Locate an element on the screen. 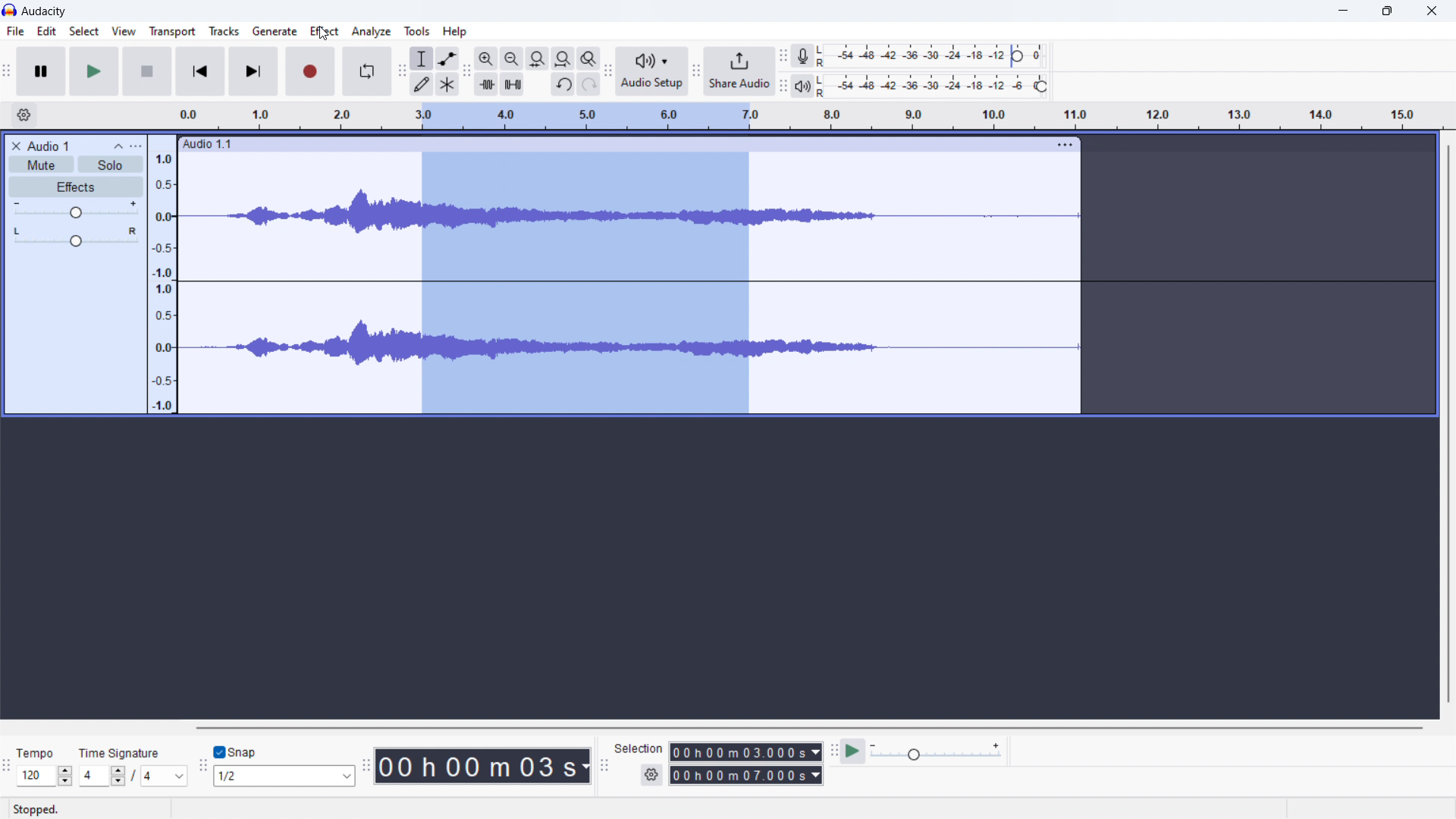 The image size is (1456, 819). analyze is located at coordinates (372, 31).